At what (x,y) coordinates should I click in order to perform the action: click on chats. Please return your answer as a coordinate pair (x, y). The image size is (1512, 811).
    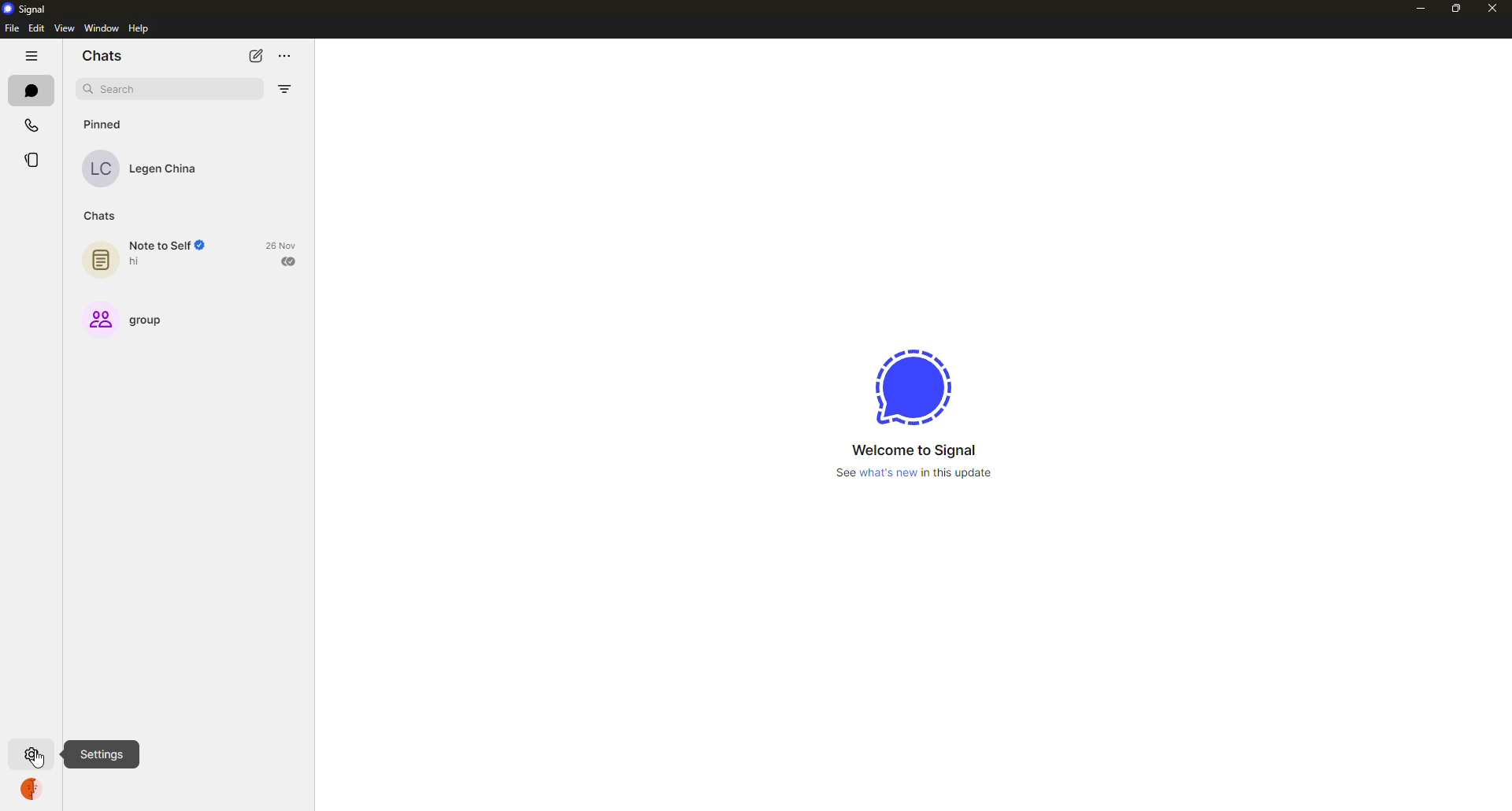
    Looking at the image, I should click on (30, 90).